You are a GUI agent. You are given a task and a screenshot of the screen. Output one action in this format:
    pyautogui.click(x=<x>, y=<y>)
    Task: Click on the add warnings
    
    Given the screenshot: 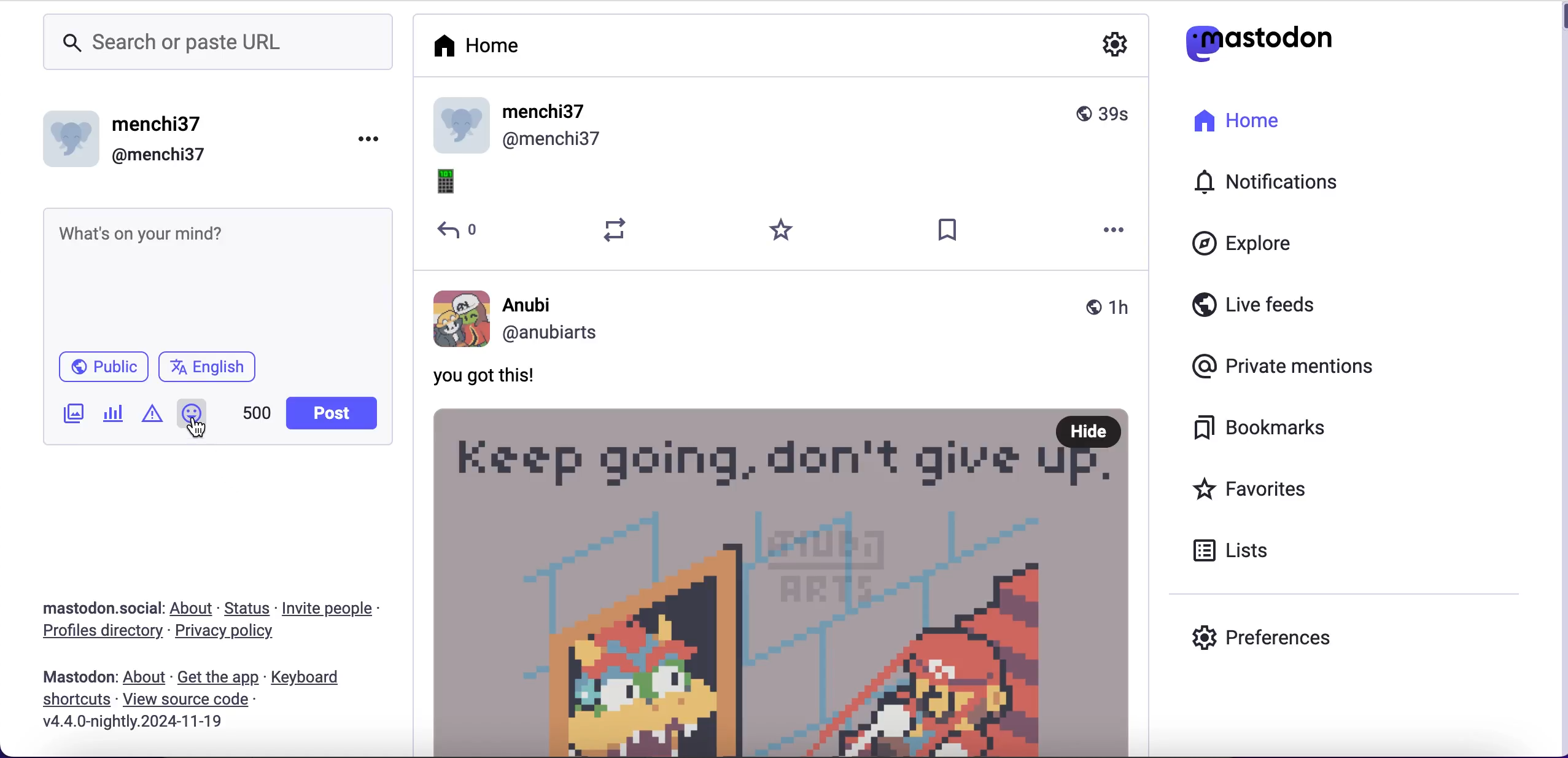 What is the action you would take?
    pyautogui.click(x=155, y=418)
    